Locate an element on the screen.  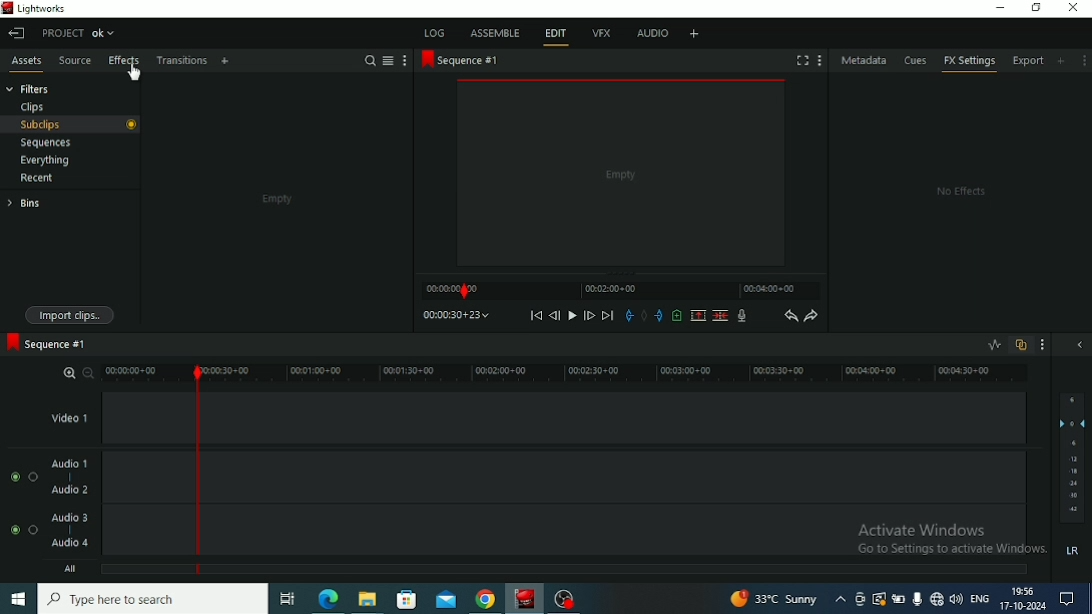
Video 1 is located at coordinates (627, 418).